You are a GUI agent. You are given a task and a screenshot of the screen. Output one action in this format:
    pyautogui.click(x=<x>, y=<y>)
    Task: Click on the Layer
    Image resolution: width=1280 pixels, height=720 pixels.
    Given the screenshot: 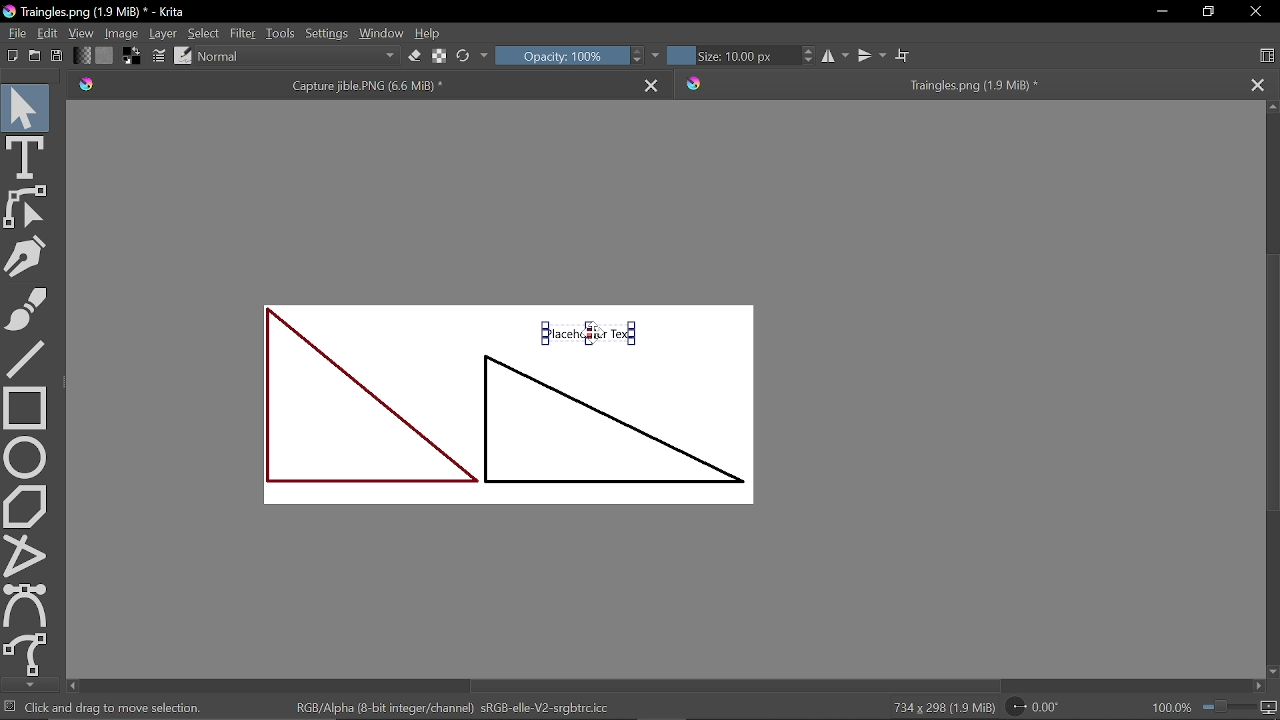 What is the action you would take?
    pyautogui.click(x=163, y=33)
    